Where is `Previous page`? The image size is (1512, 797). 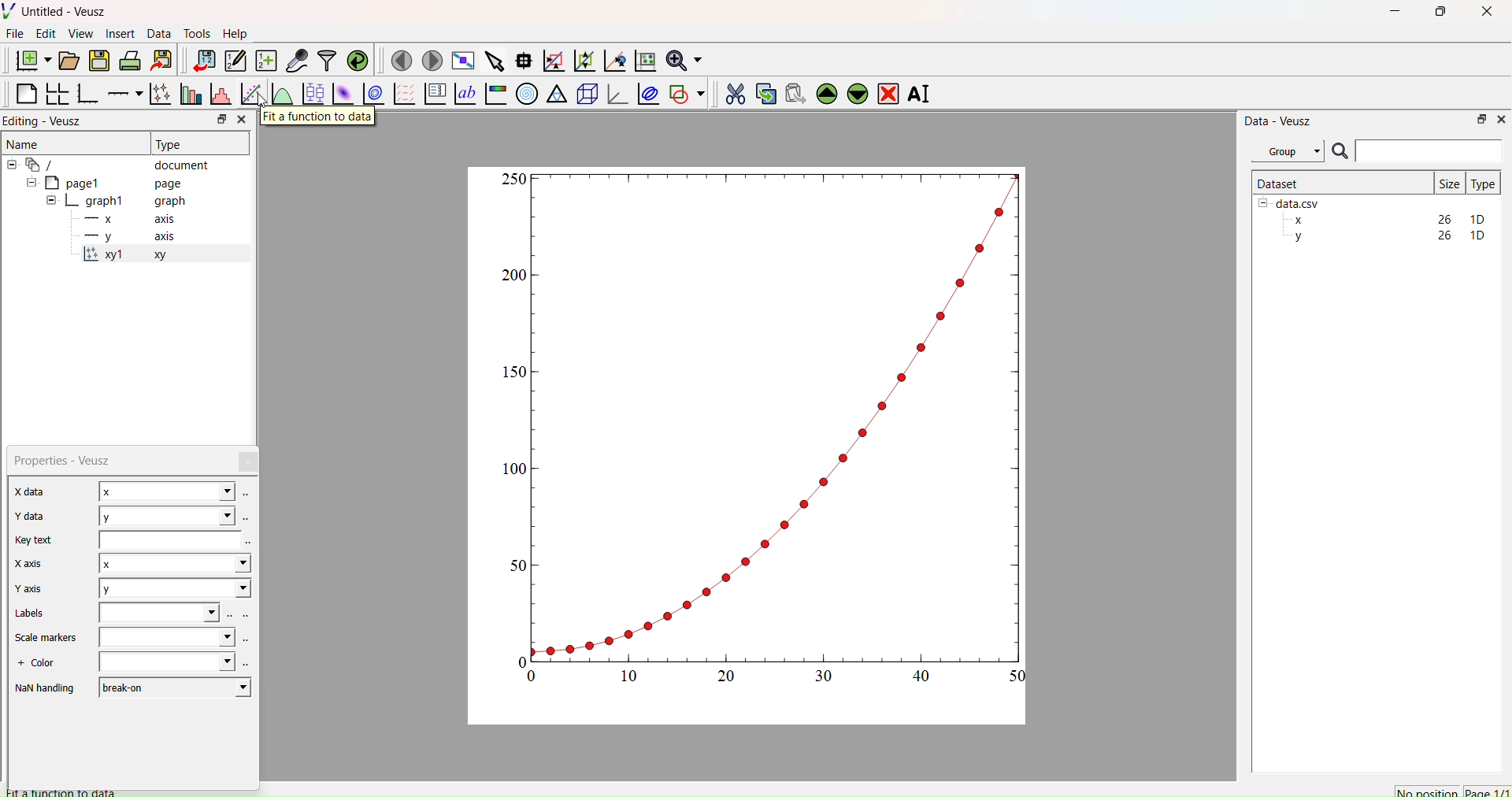 Previous page is located at coordinates (402, 61).